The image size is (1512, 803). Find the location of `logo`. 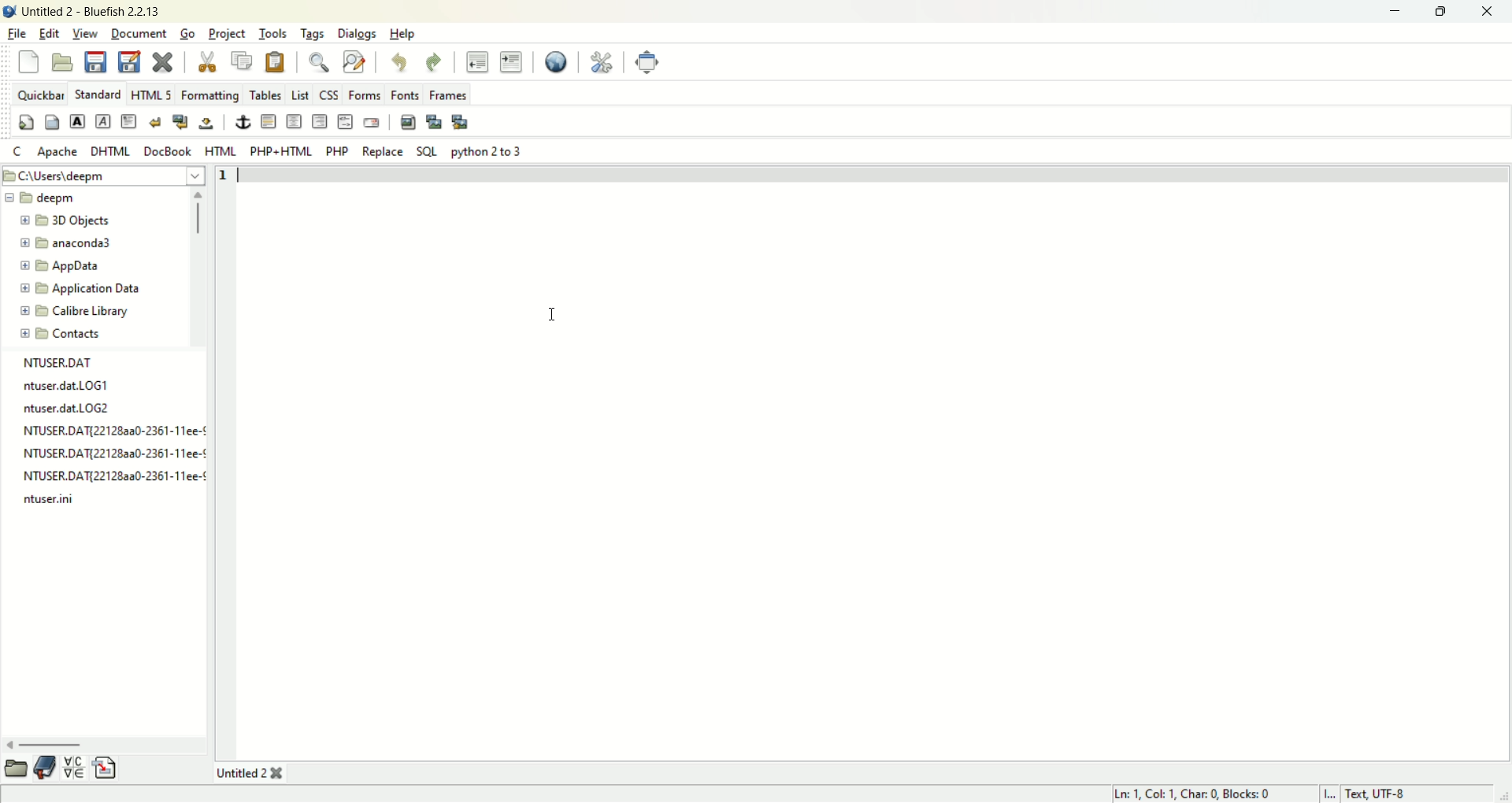

logo is located at coordinates (9, 9).